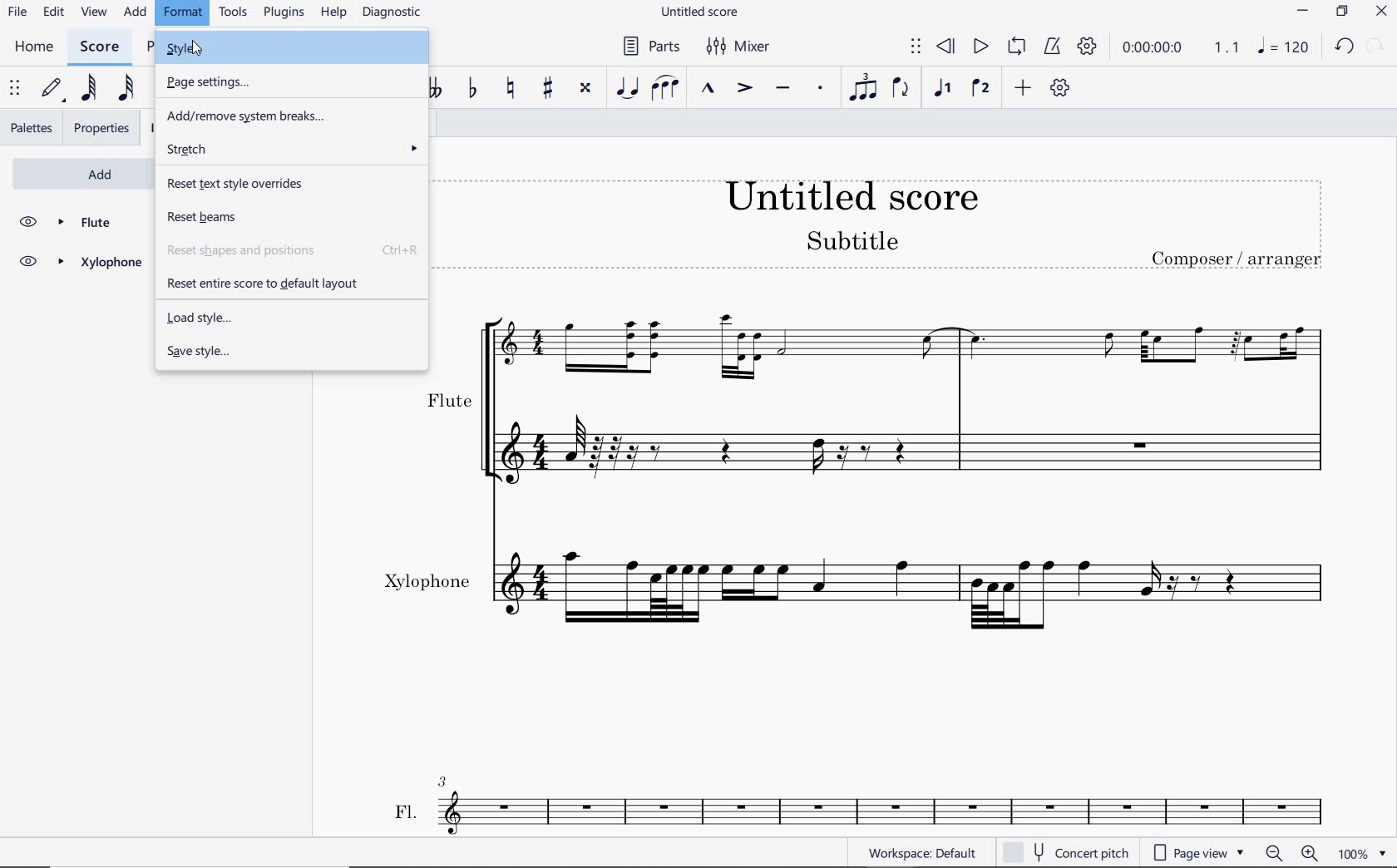 The height and width of the screenshot is (868, 1397). What do you see at coordinates (1375, 47) in the screenshot?
I see `REDO` at bounding box center [1375, 47].